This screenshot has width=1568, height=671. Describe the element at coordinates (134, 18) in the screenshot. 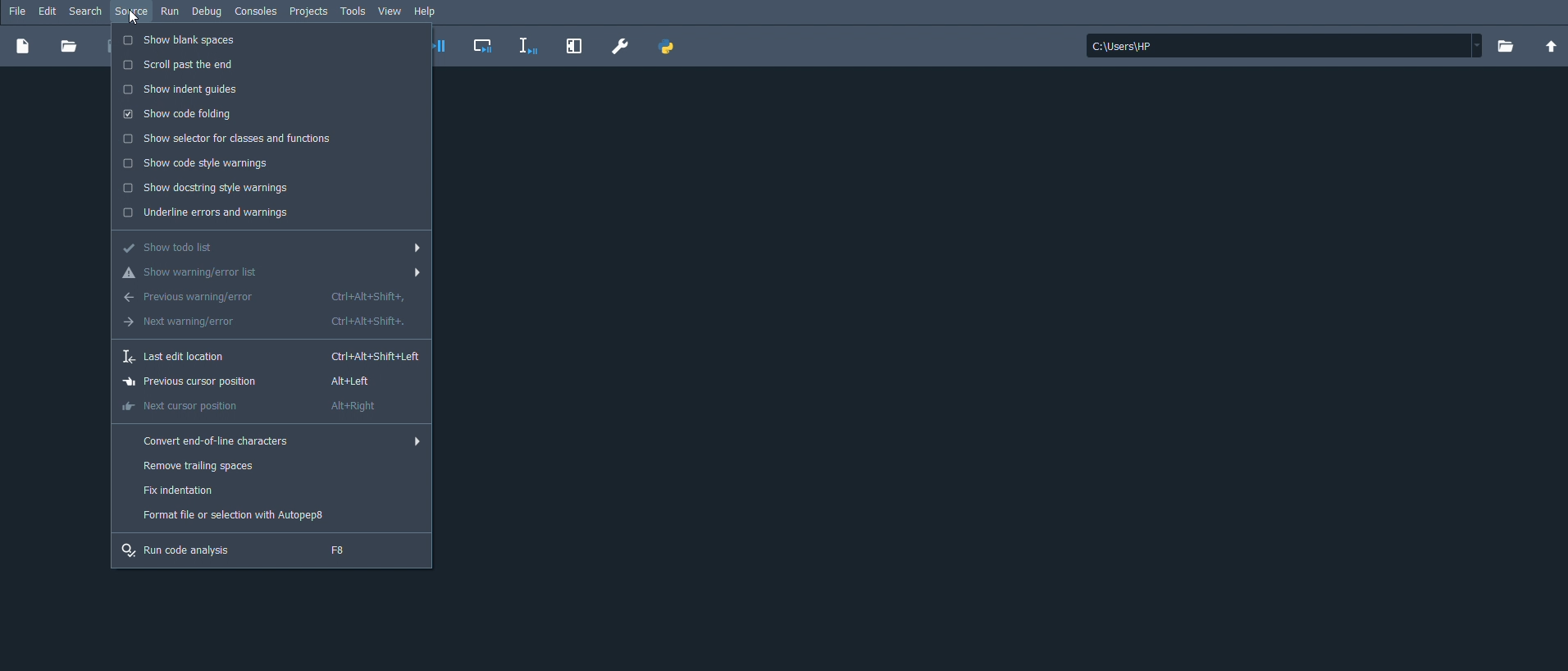

I see `cursor` at that location.